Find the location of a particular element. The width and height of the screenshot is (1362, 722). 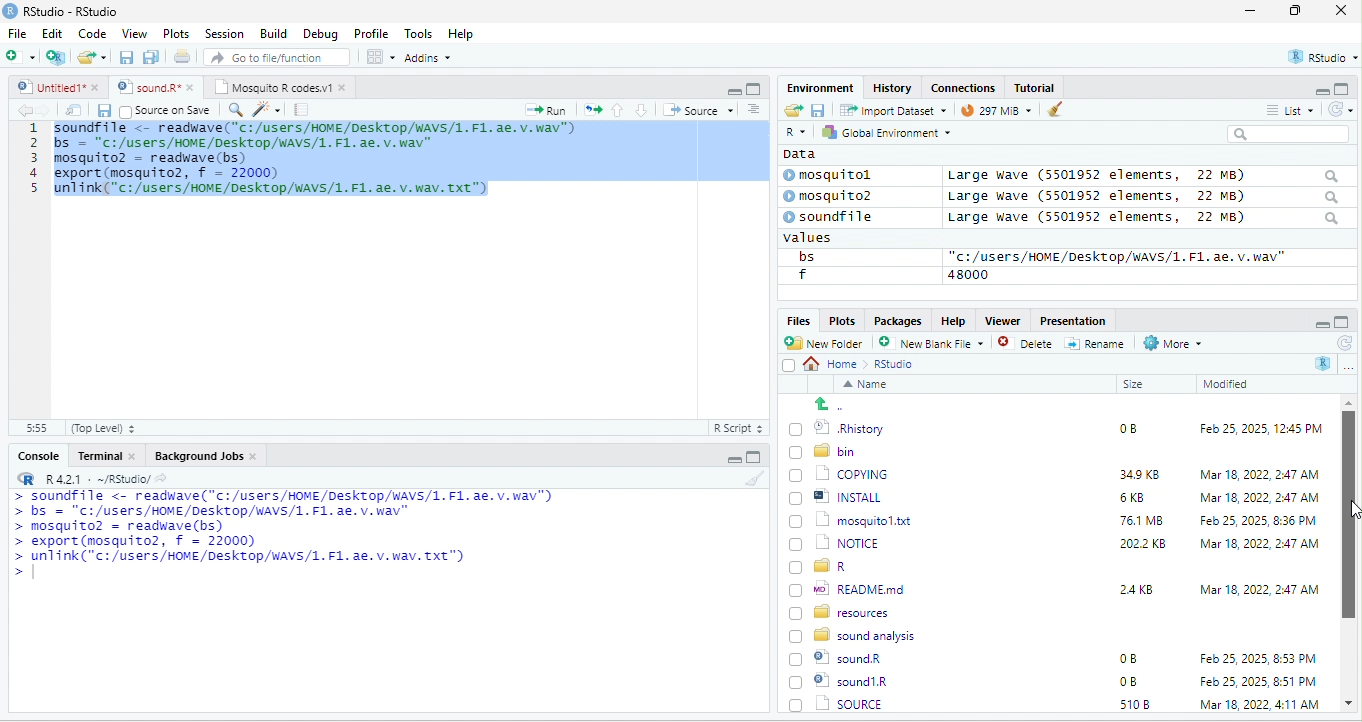

Session is located at coordinates (225, 32).